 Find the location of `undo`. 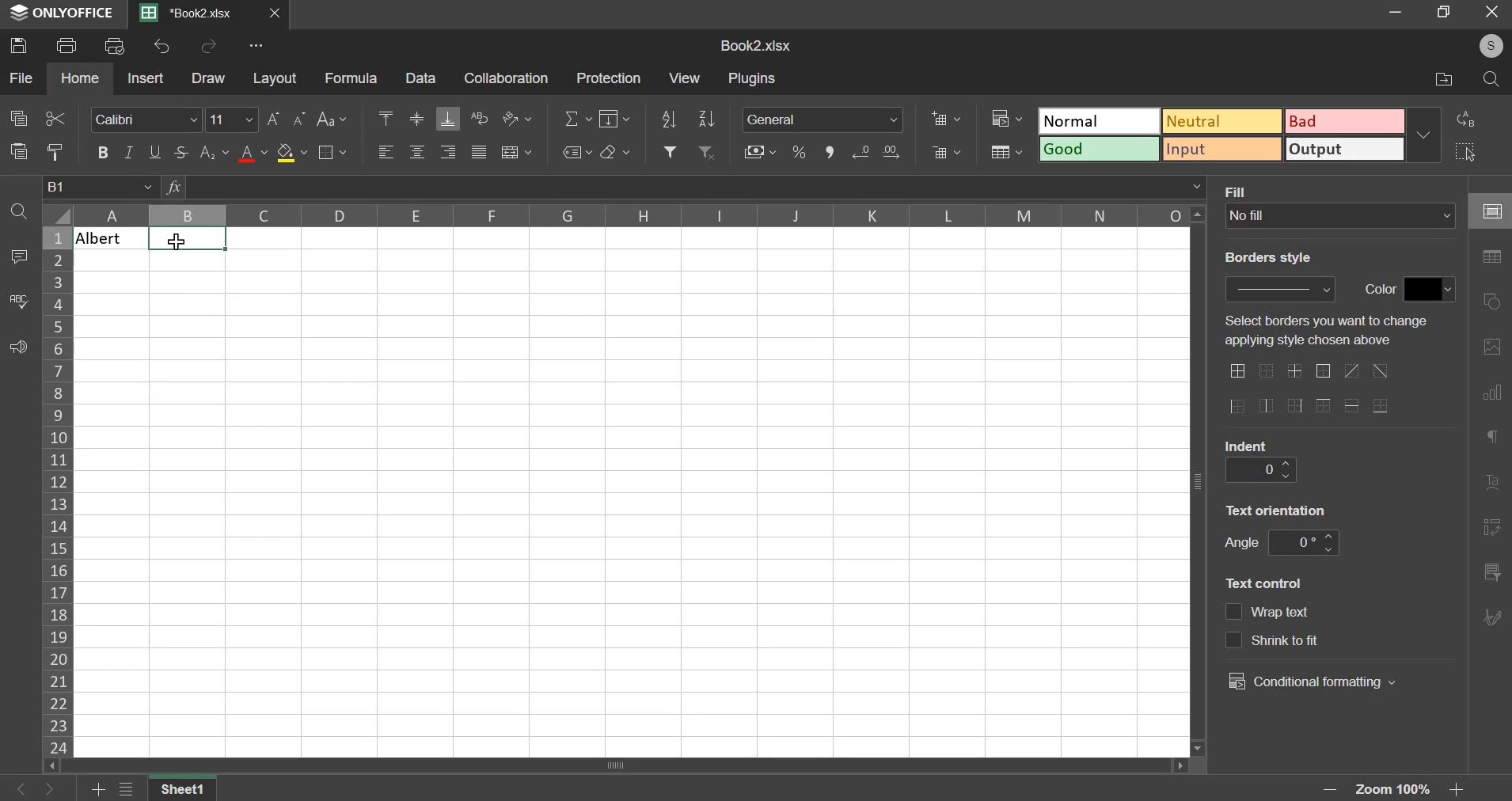

undo is located at coordinates (164, 46).